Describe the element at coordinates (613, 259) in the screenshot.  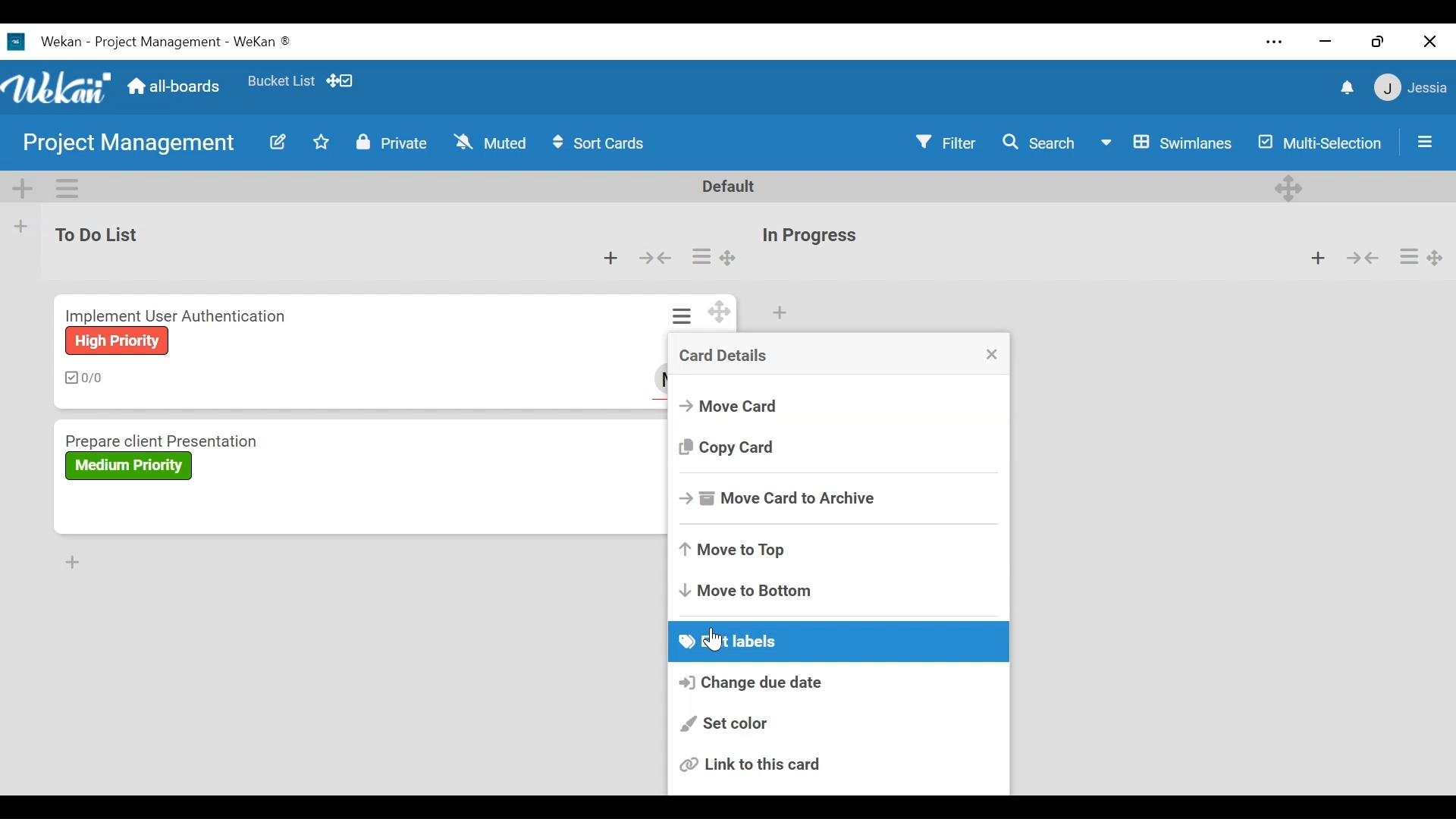
I see `Add card to the top of the list` at that location.